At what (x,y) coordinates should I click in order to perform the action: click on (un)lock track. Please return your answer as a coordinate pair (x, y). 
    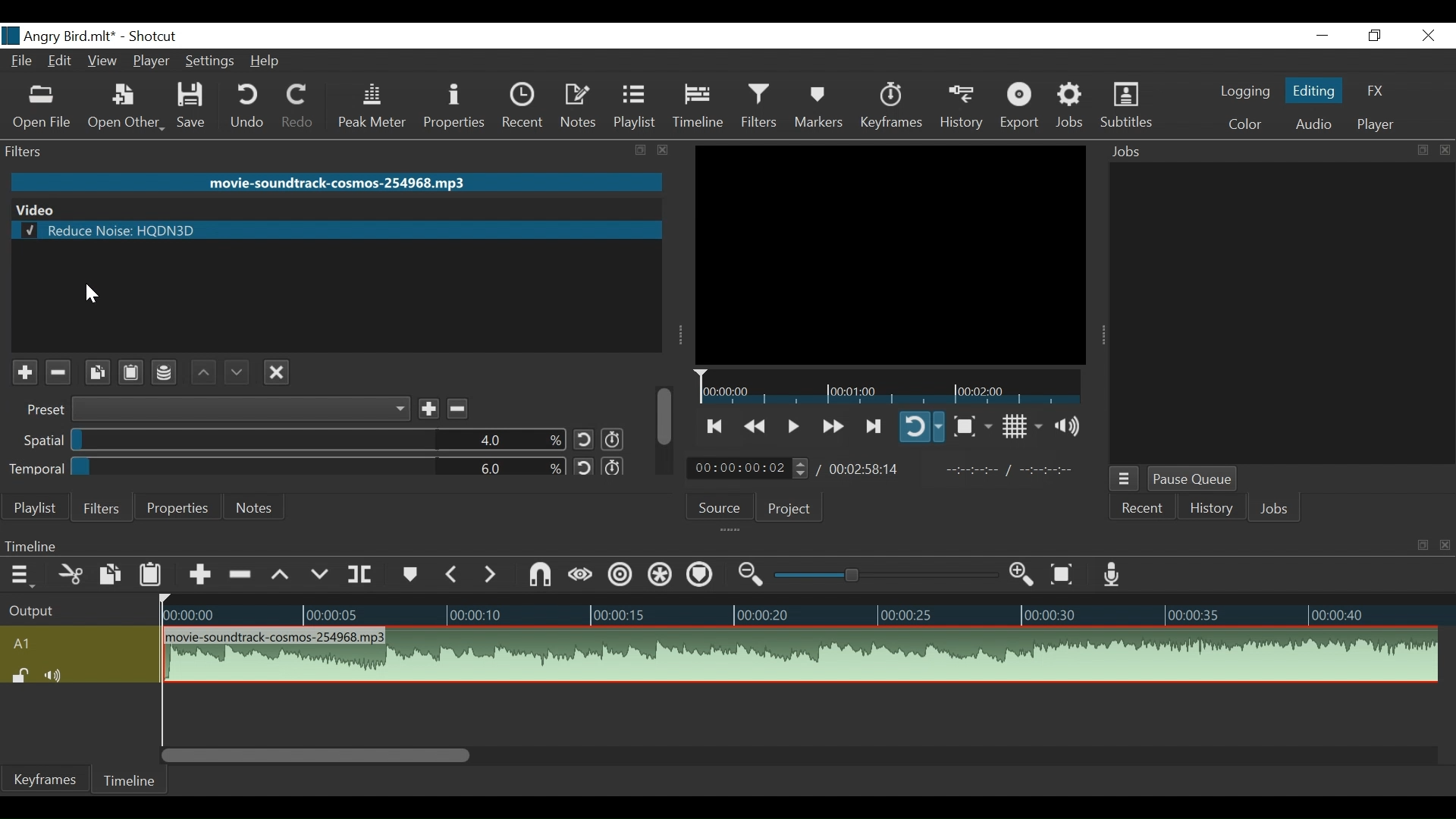
    Looking at the image, I should click on (20, 675).